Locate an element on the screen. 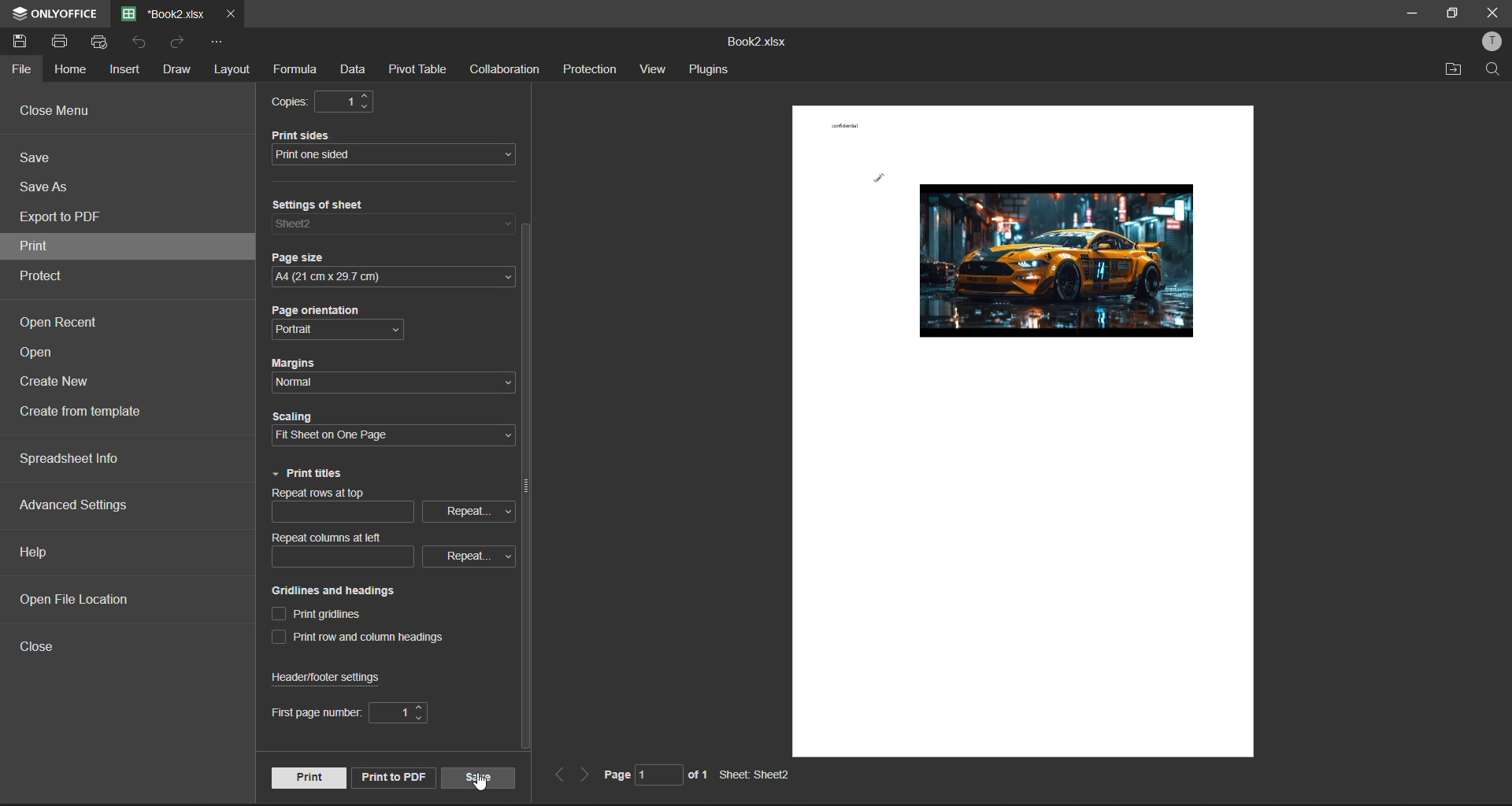 The image size is (1512, 806). repeat columns at left is located at coordinates (391, 549).